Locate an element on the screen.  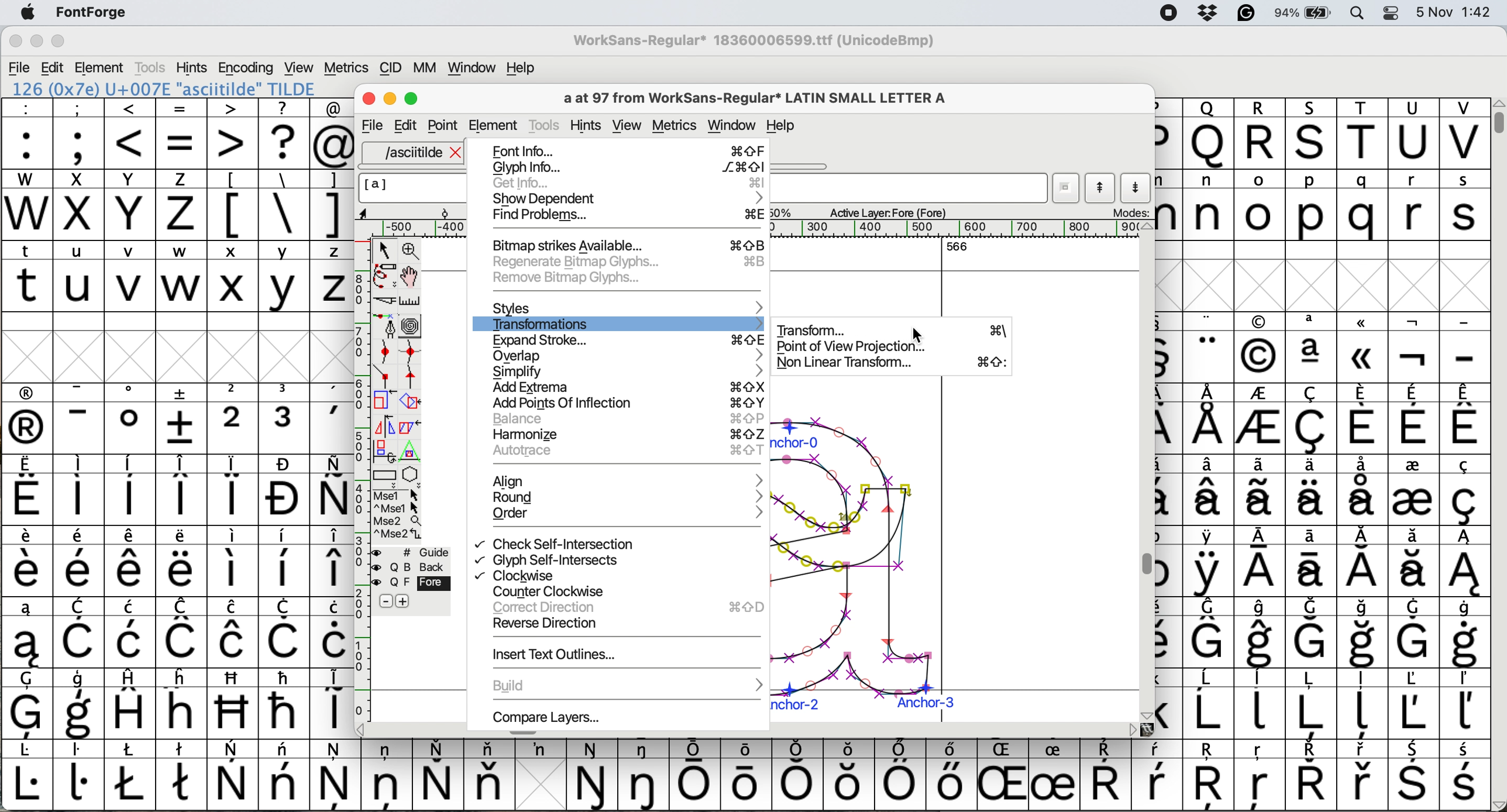
change whether spiro is active or not is located at coordinates (411, 325).